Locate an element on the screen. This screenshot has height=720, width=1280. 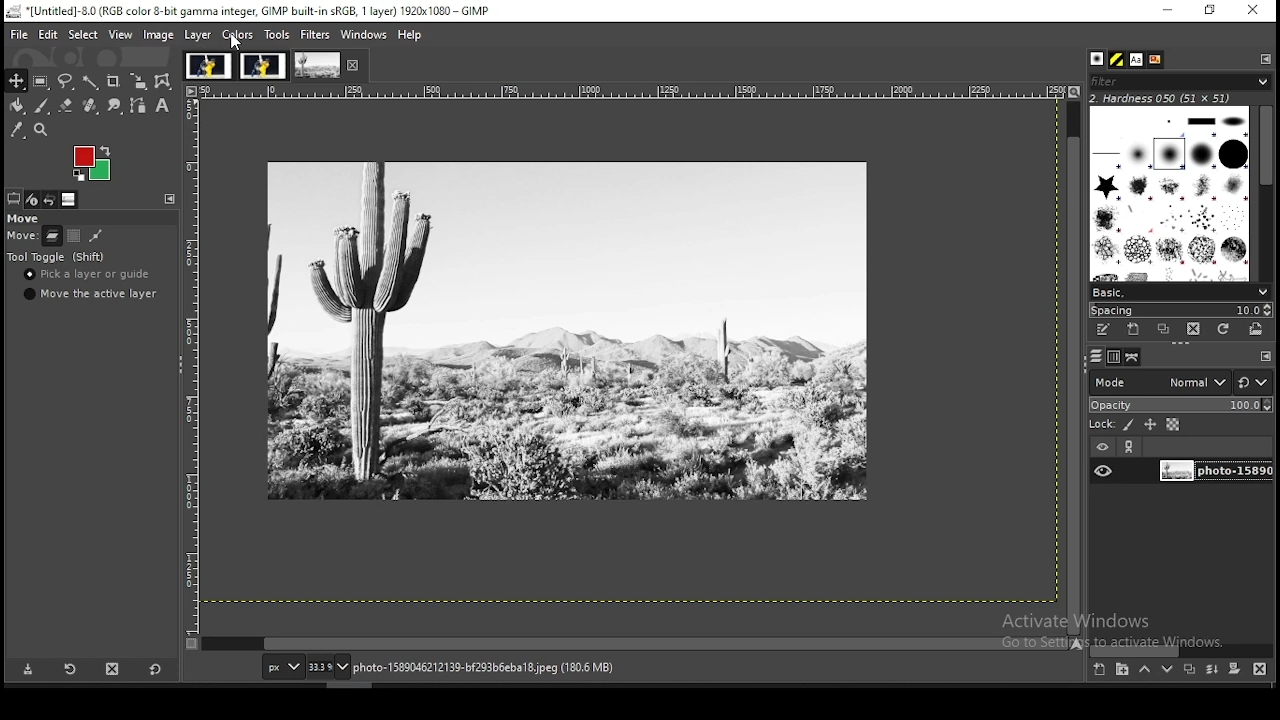
opacity is located at coordinates (1179, 403).